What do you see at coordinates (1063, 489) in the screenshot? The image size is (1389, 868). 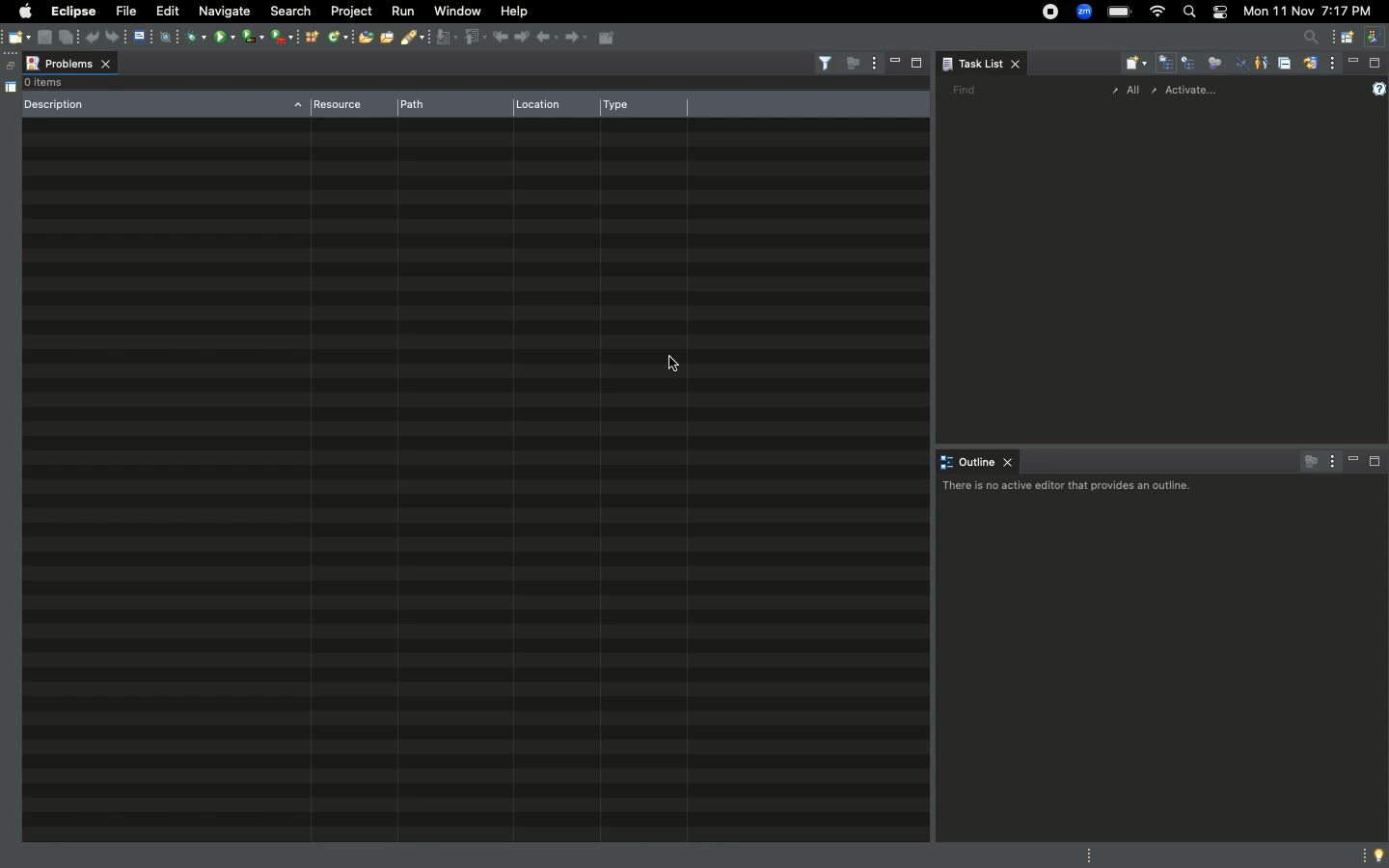 I see `there is no active editor that provides an outline` at bounding box center [1063, 489].